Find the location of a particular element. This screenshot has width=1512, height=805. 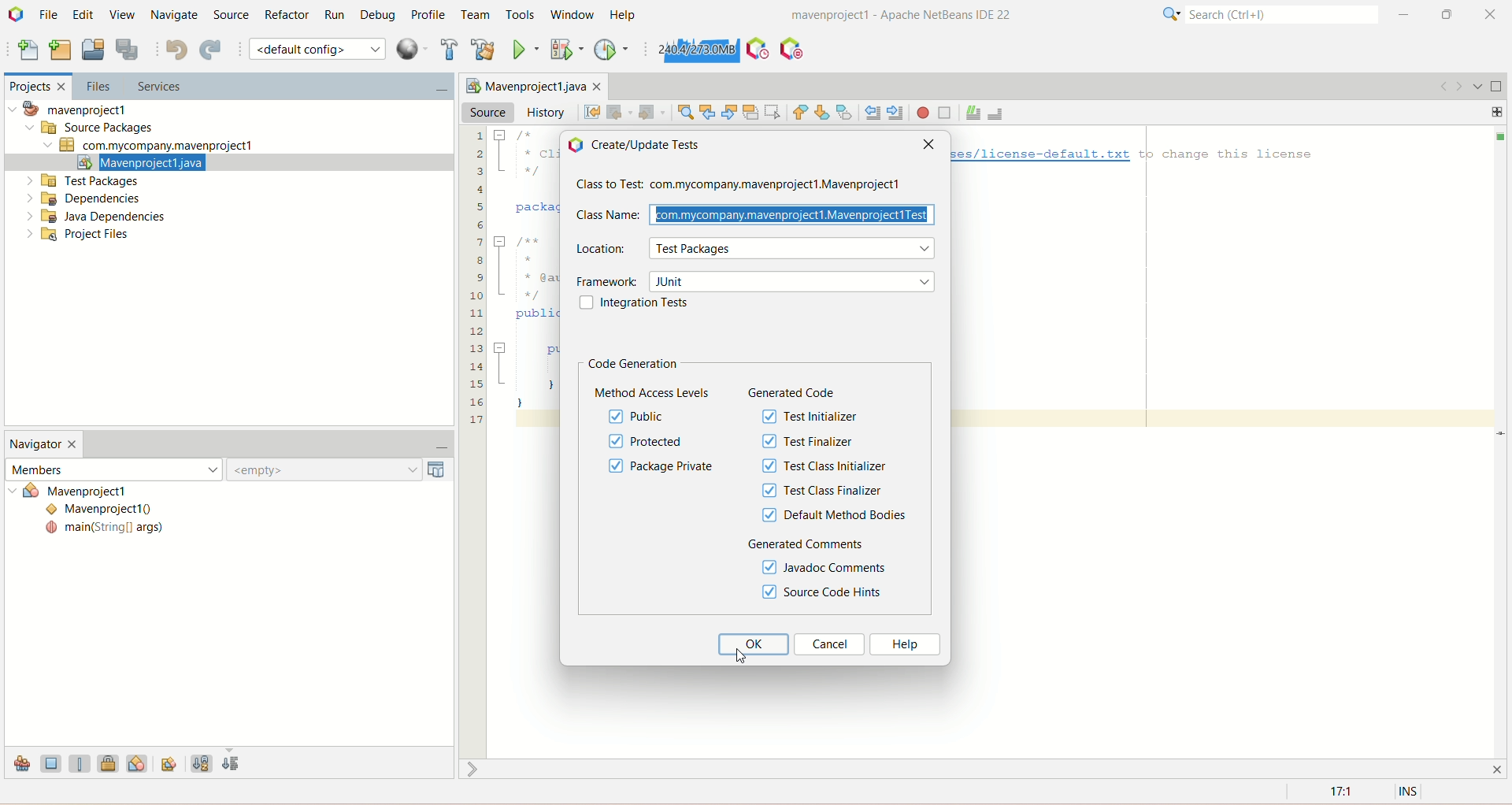

navigator is located at coordinates (44, 446).